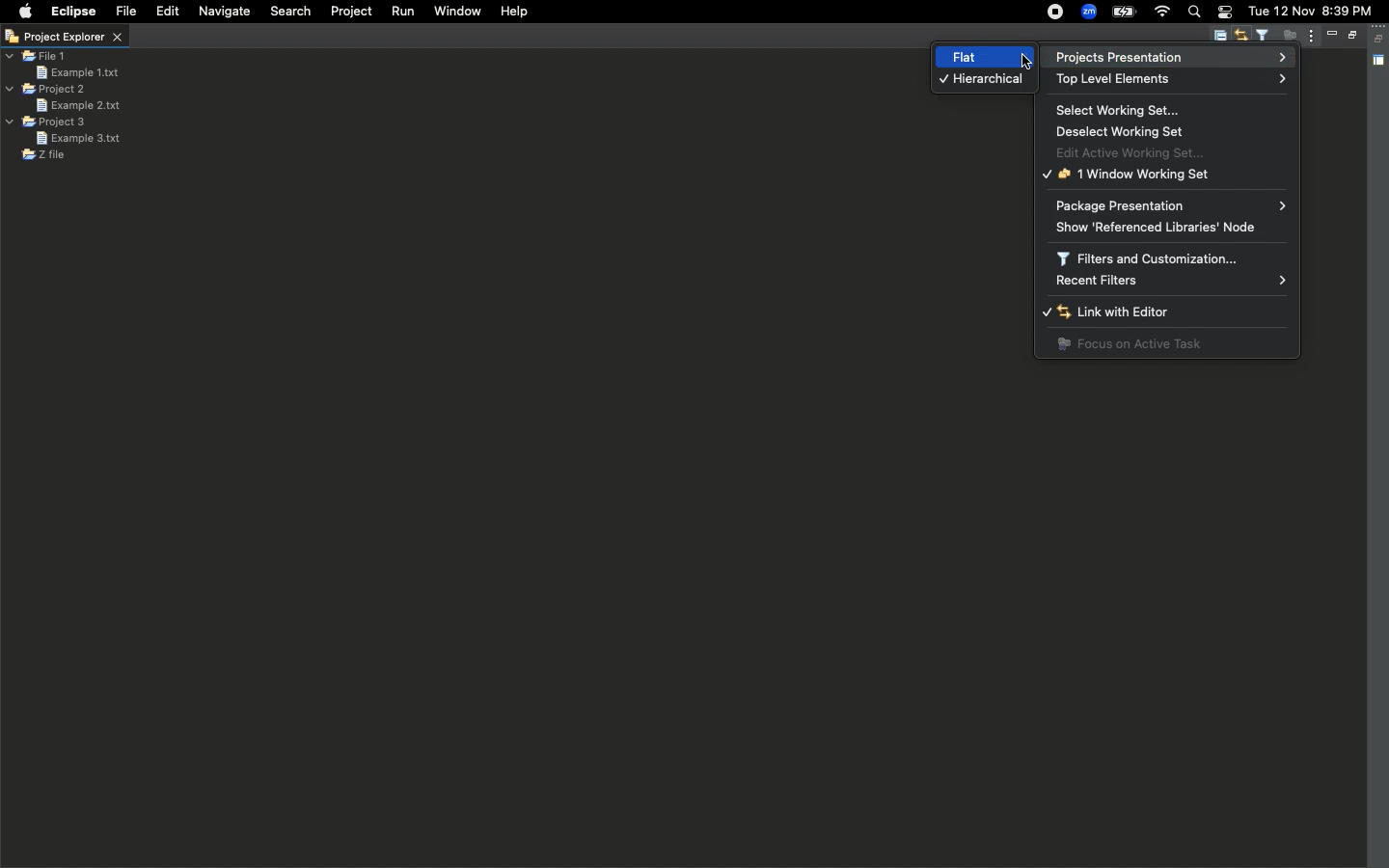  I want to click on Navigate, so click(224, 12).